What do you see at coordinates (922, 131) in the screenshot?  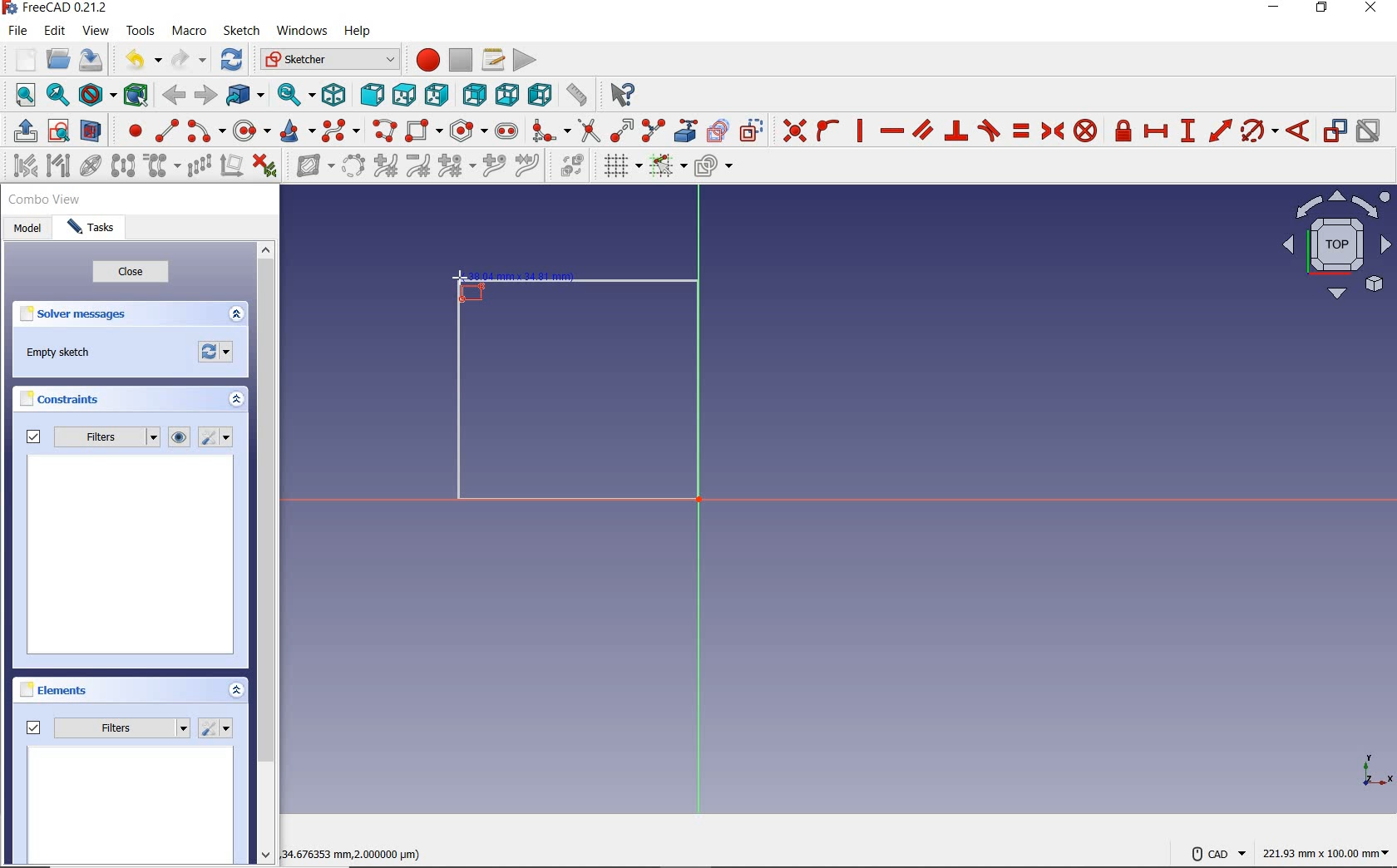 I see `constrain parallel` at bounding box center [922, 131].